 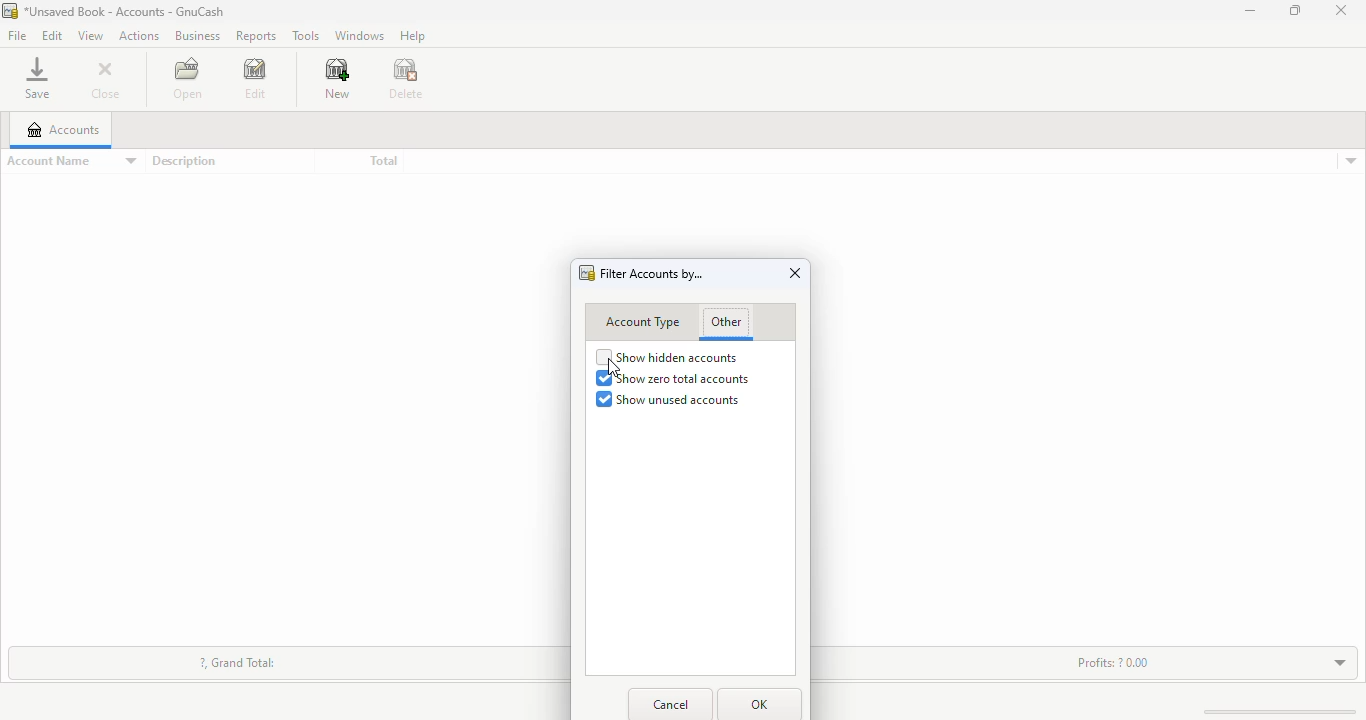 What do you see at coordinates (337, 79) in the screenshot?
I see `new` at bounding box center [337, 79].